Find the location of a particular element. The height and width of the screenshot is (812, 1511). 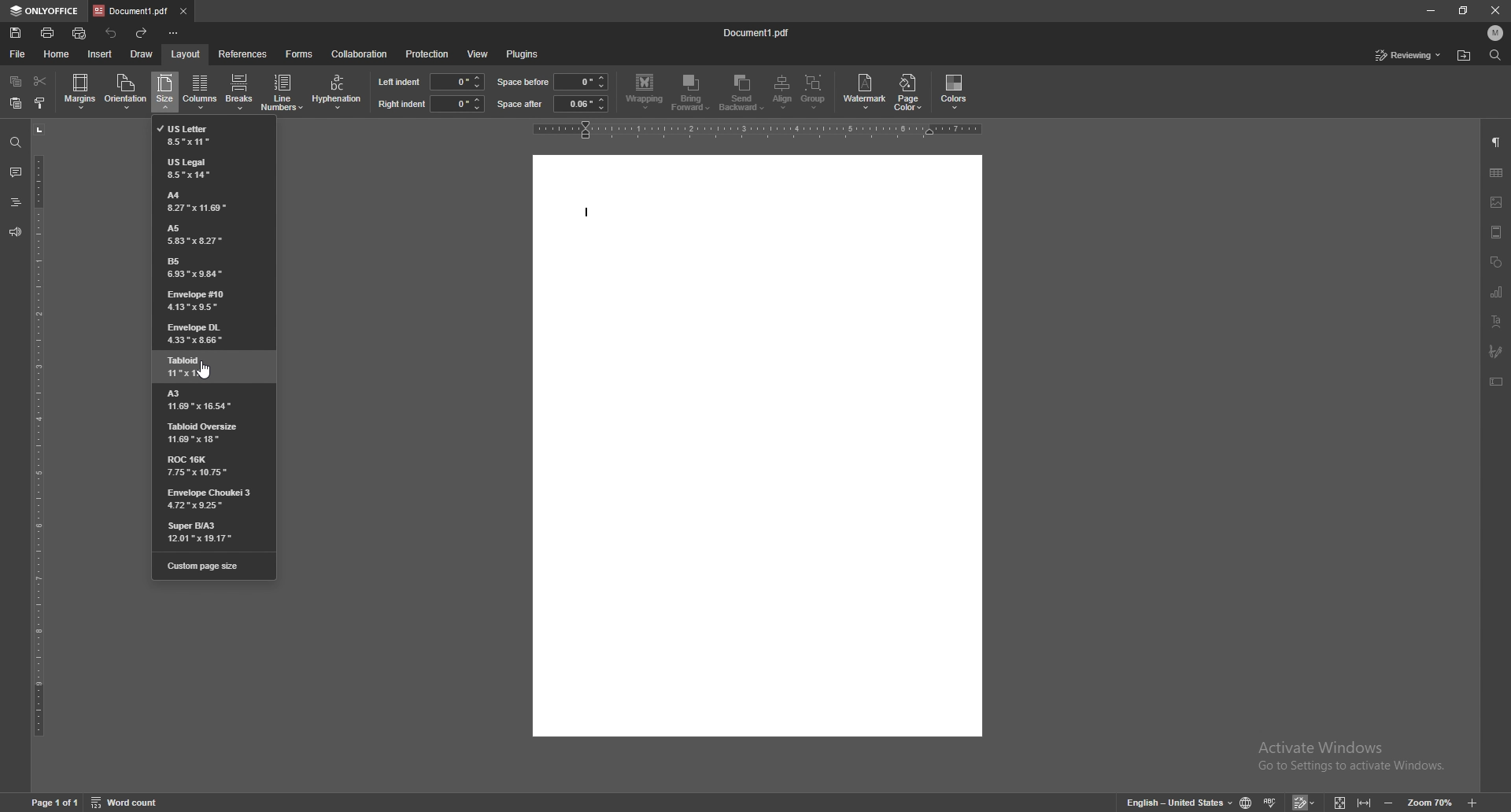

space before is located at coordinates (524, 82).